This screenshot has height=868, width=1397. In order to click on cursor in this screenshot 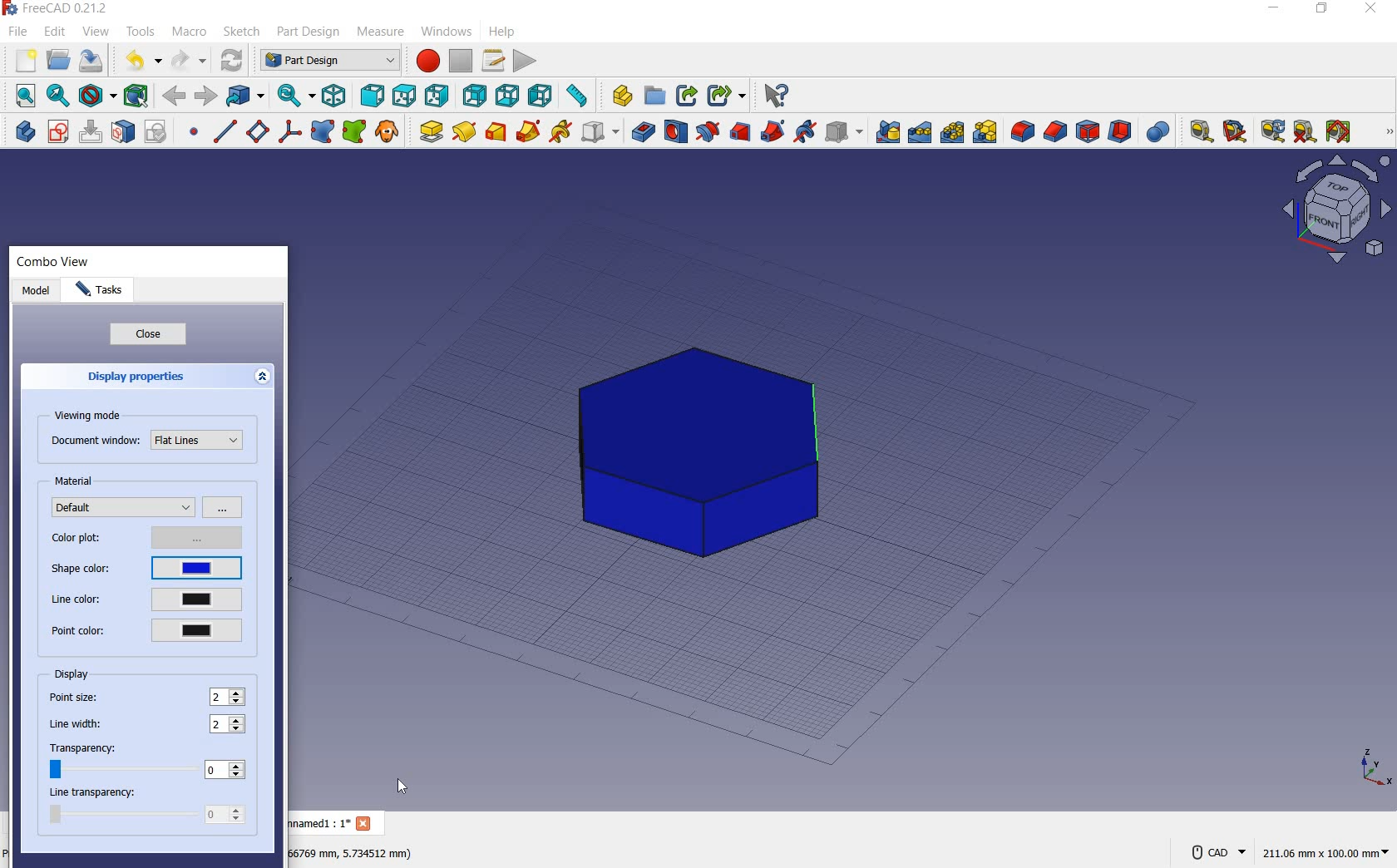, I will do `click(399, 787)`.